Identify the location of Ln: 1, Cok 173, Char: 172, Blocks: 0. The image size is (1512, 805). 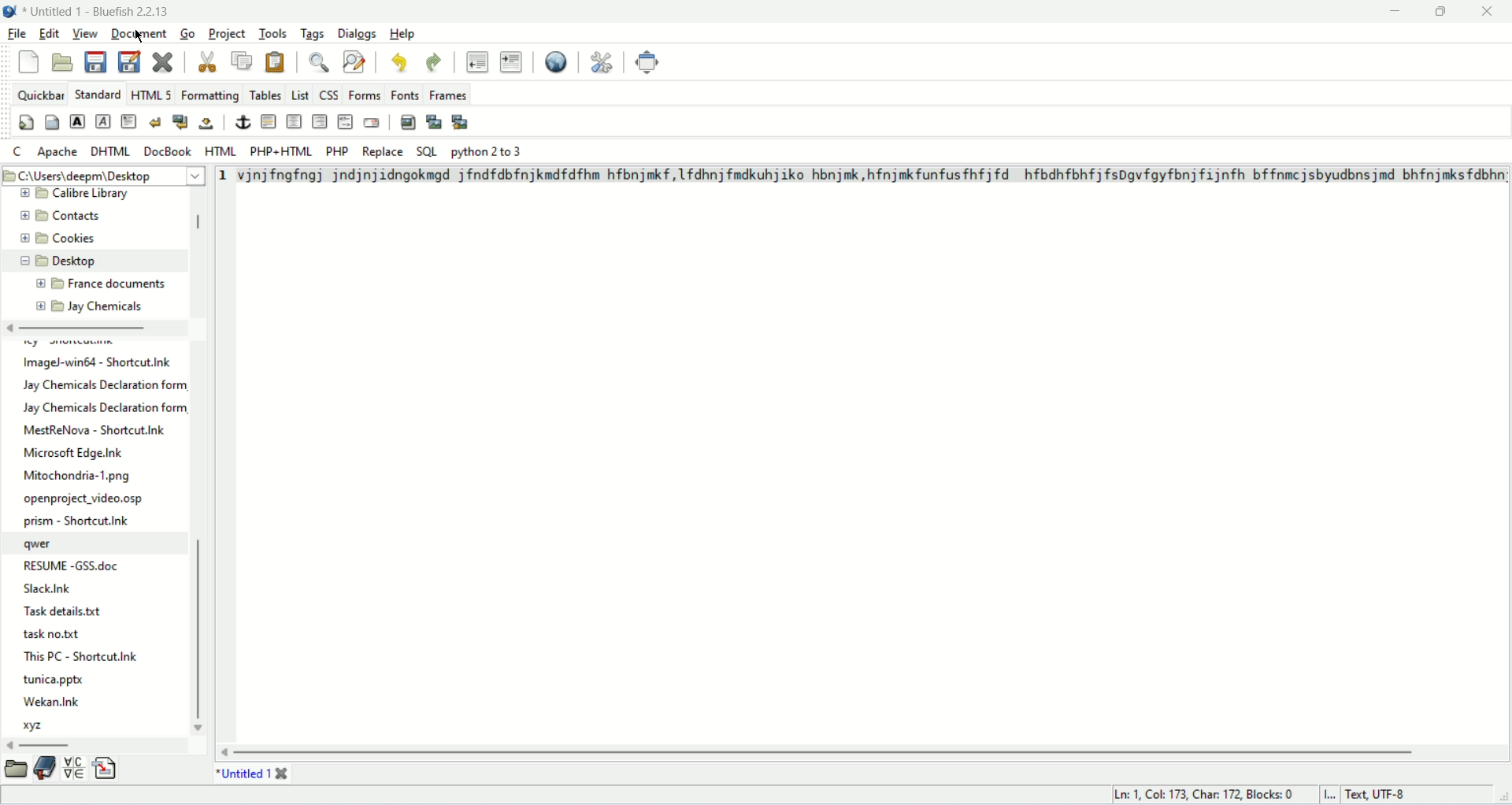
(1207, 792).